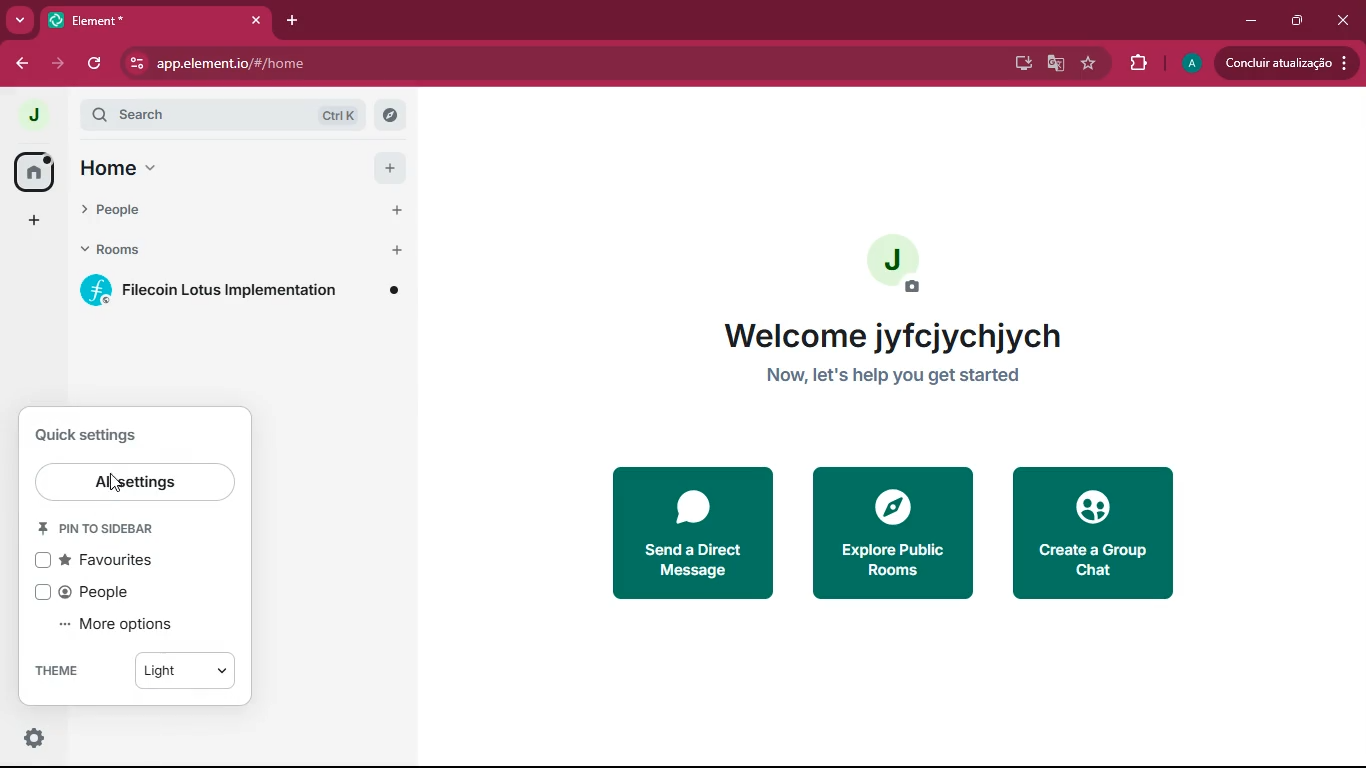 Image resolution: width=1366 pixels, height=768 pixels. Describe the element at coordinates (19, 63) in the screenshot. I see `back` at that location.